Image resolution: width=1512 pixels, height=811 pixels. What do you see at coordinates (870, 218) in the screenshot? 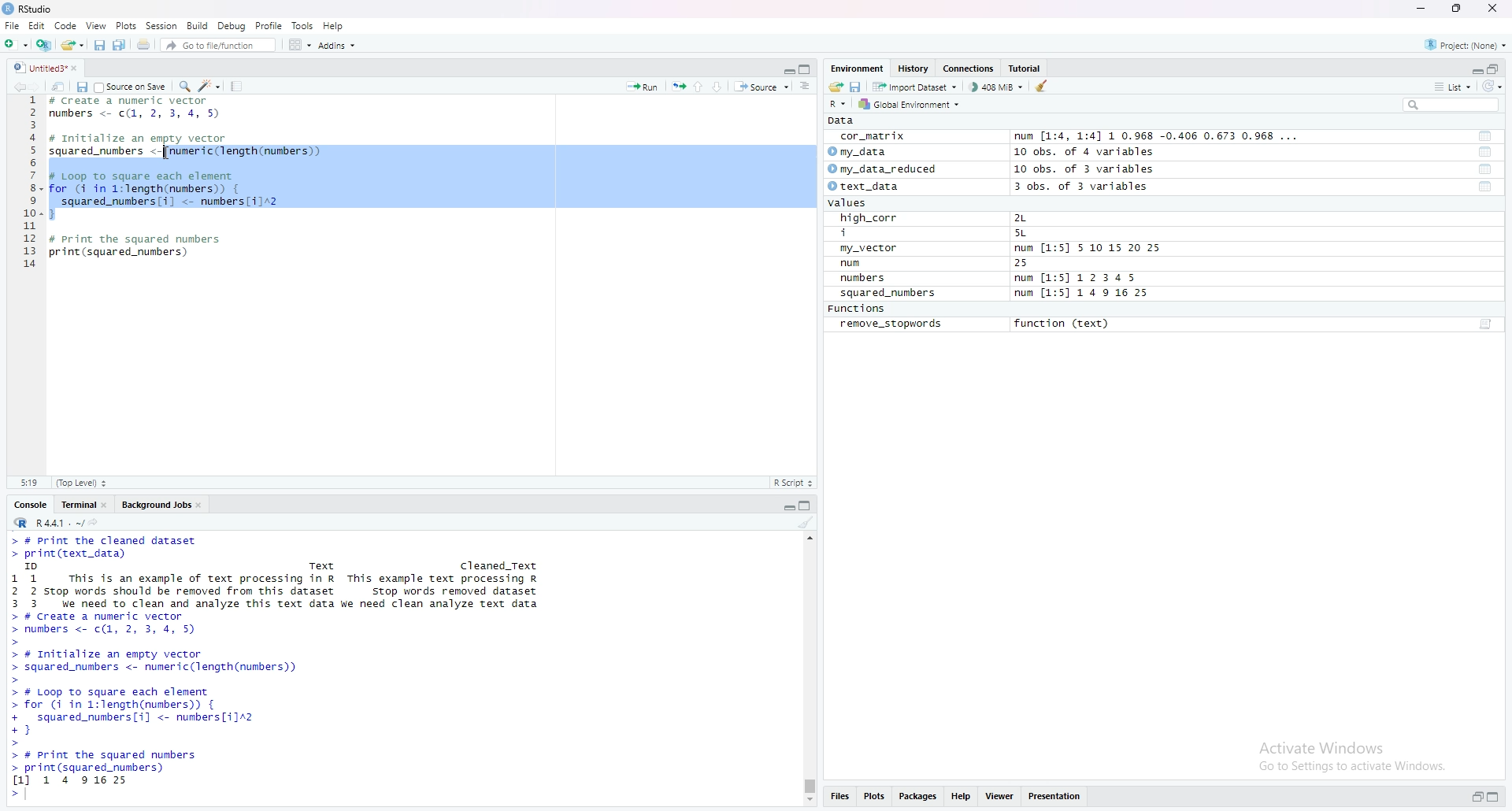
I see `high_corr` at bounding box center [870, 218].